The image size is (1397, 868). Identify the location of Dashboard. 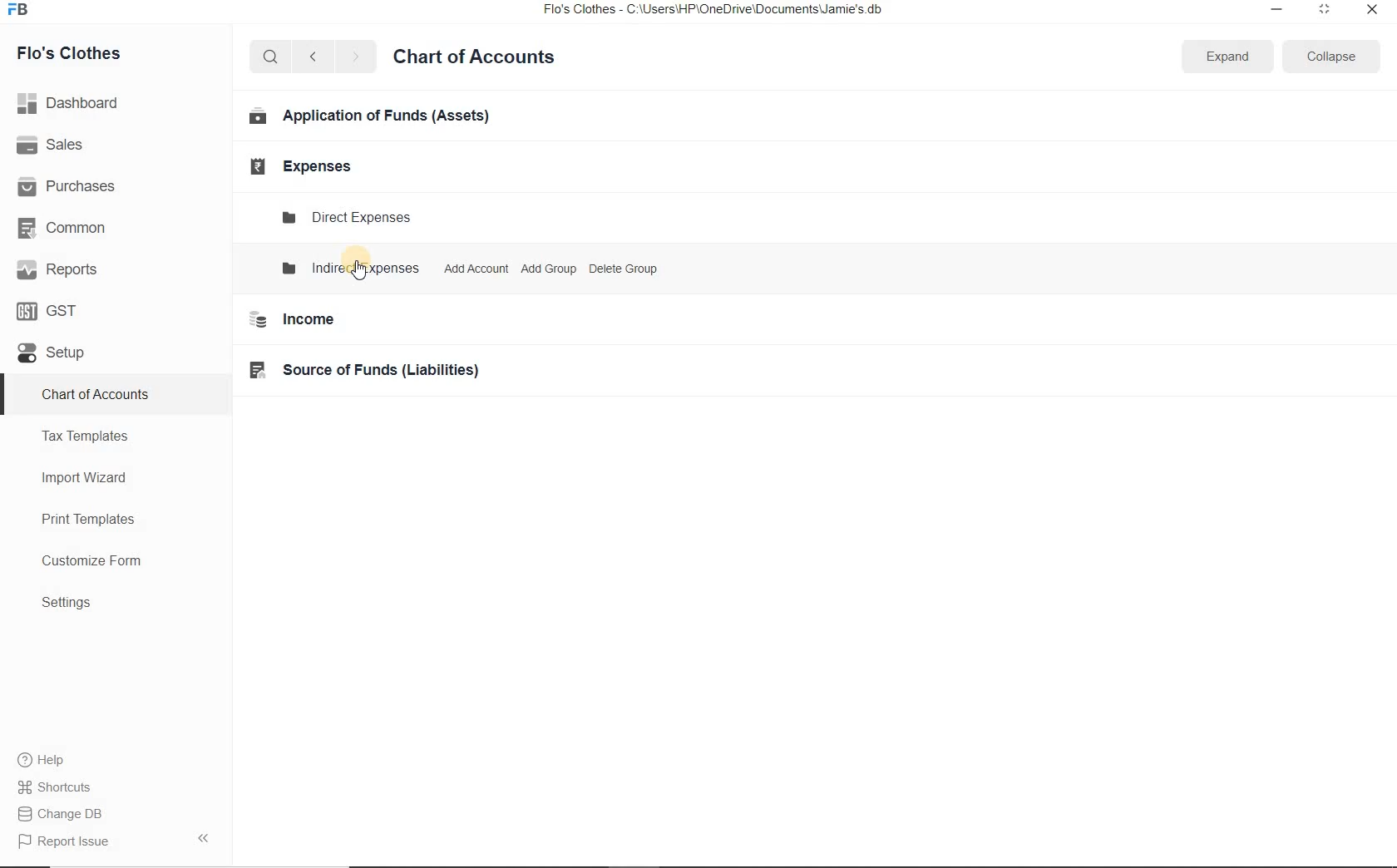
(72, 101).